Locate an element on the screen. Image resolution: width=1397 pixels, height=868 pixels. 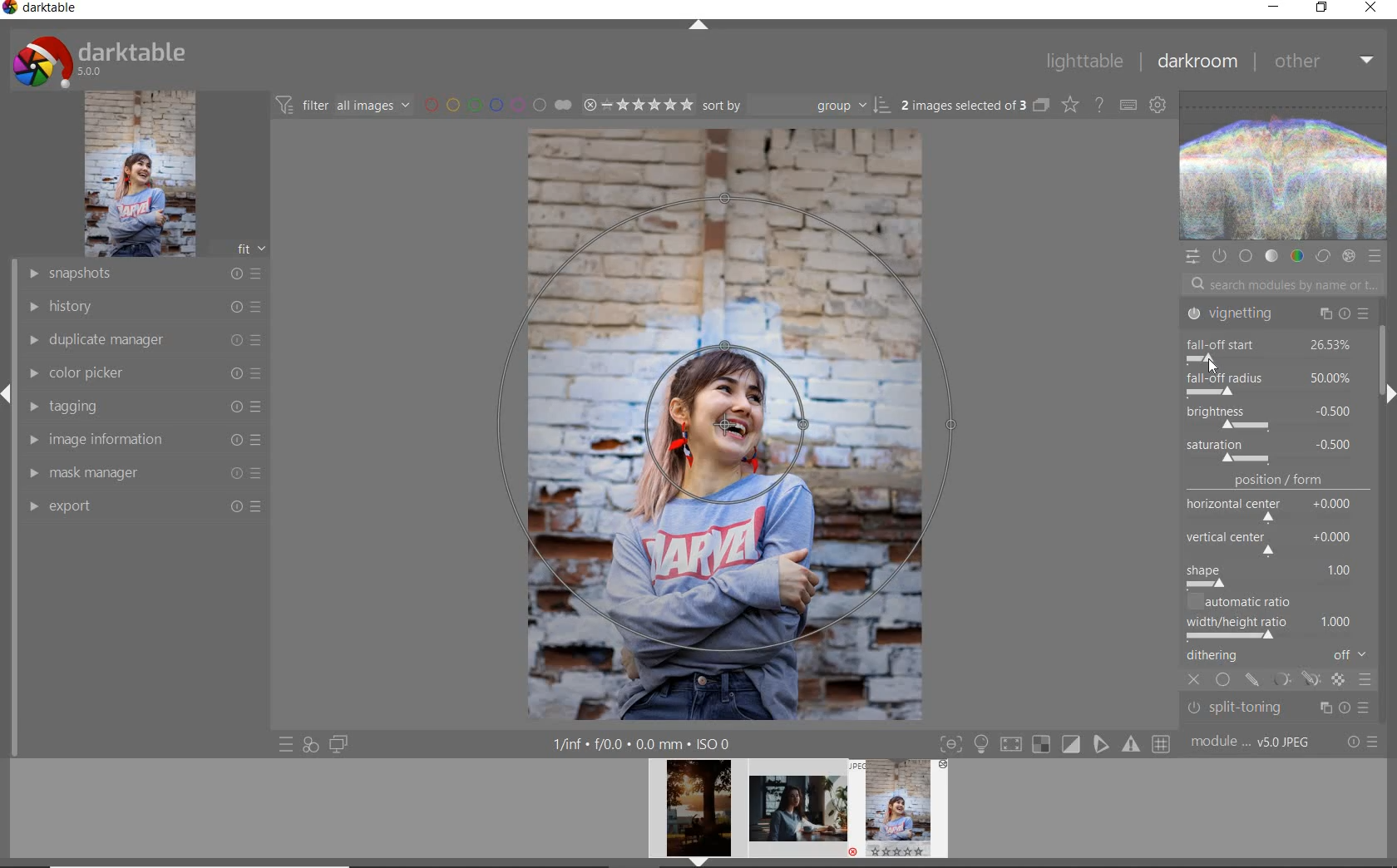
dithering is located at coordinates (1279, 657).